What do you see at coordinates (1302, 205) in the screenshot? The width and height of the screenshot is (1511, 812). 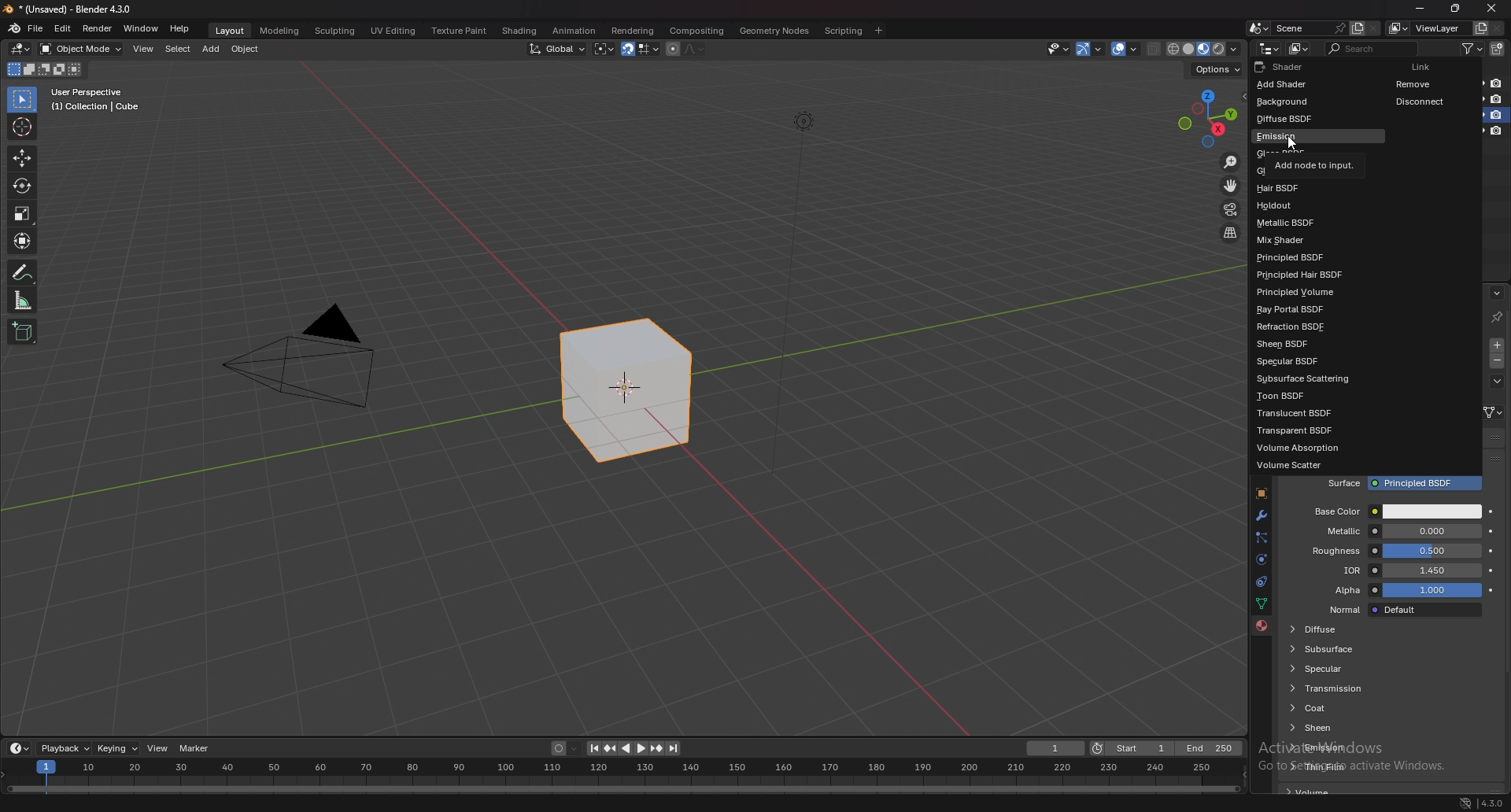 I see `holdout` at bounding box center [1302, 205].